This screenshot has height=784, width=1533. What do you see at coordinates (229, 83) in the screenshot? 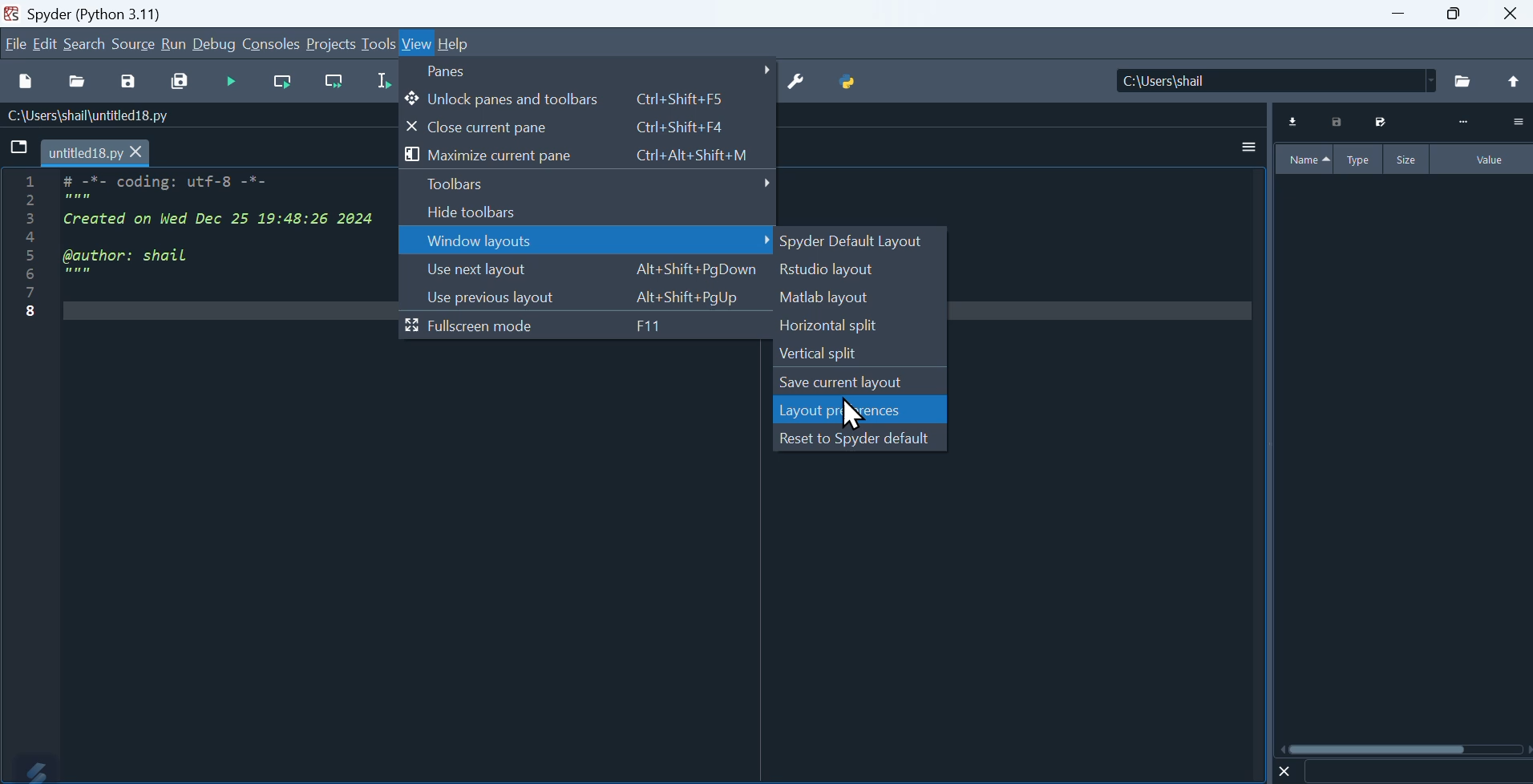
I see `Run cell` at bounding box center [229, 83].